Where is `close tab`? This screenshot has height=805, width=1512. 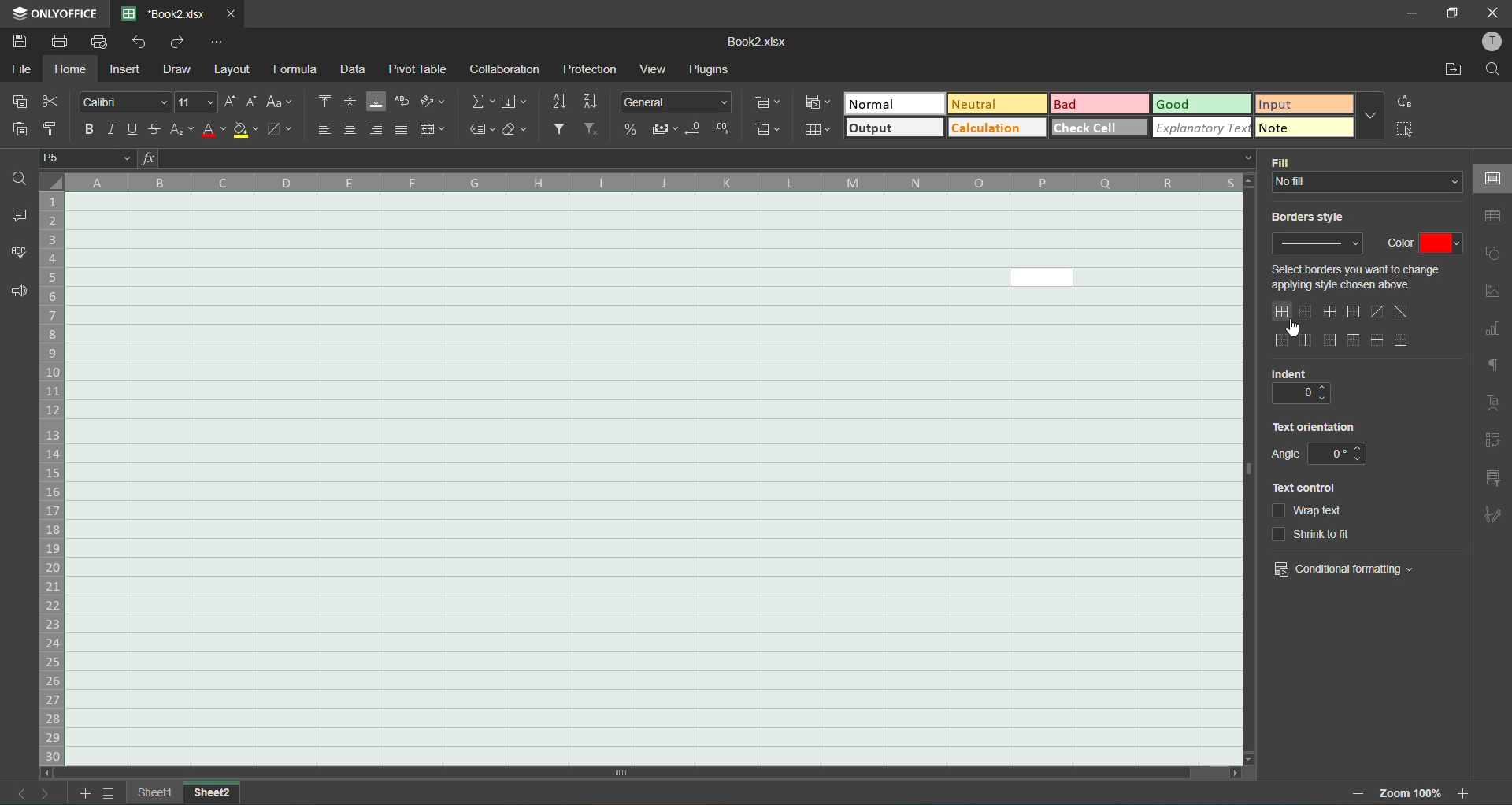 close tab is located at coordinates (230, 12).